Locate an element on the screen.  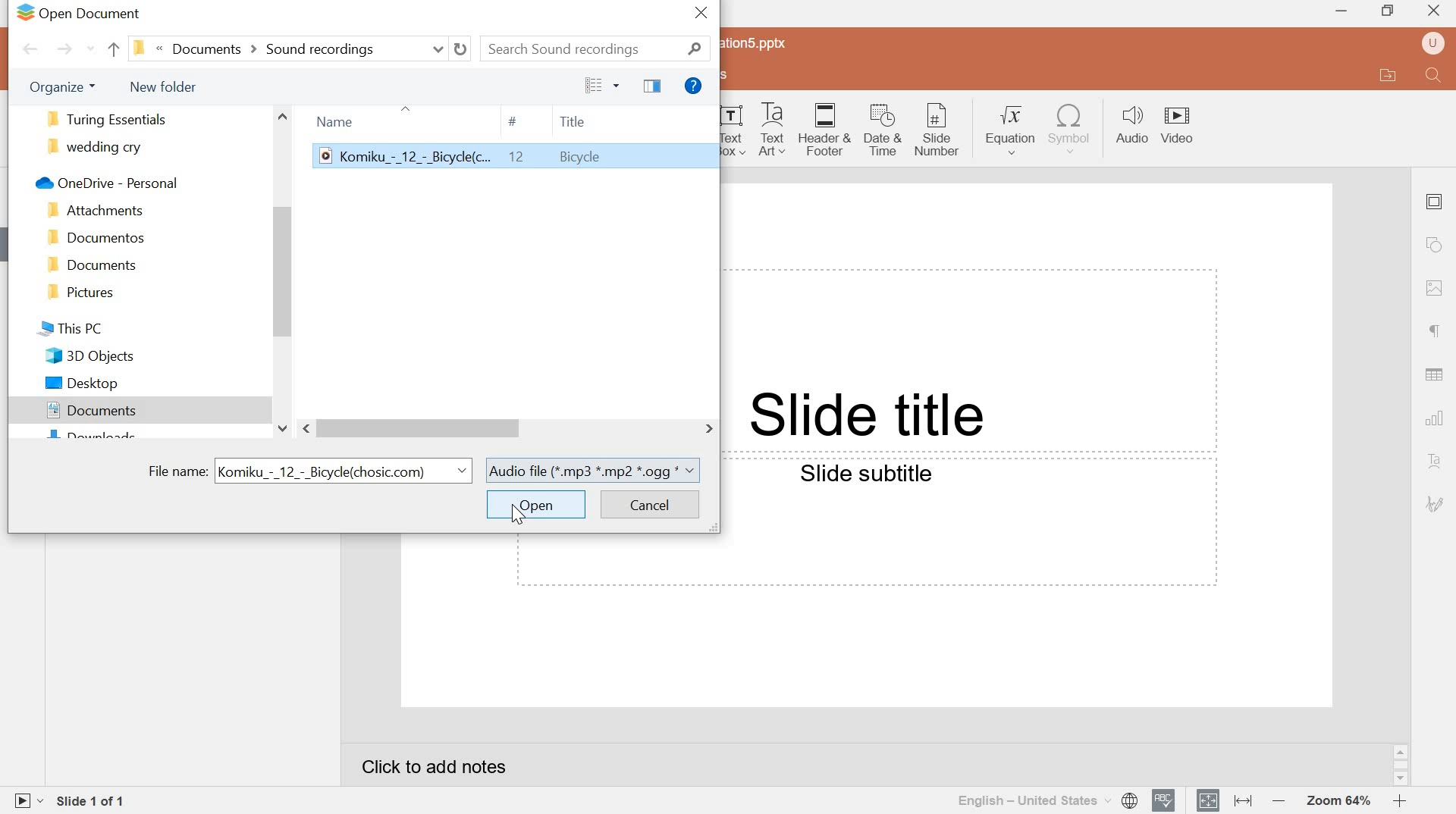
organize is located at coordinates (64, 88).